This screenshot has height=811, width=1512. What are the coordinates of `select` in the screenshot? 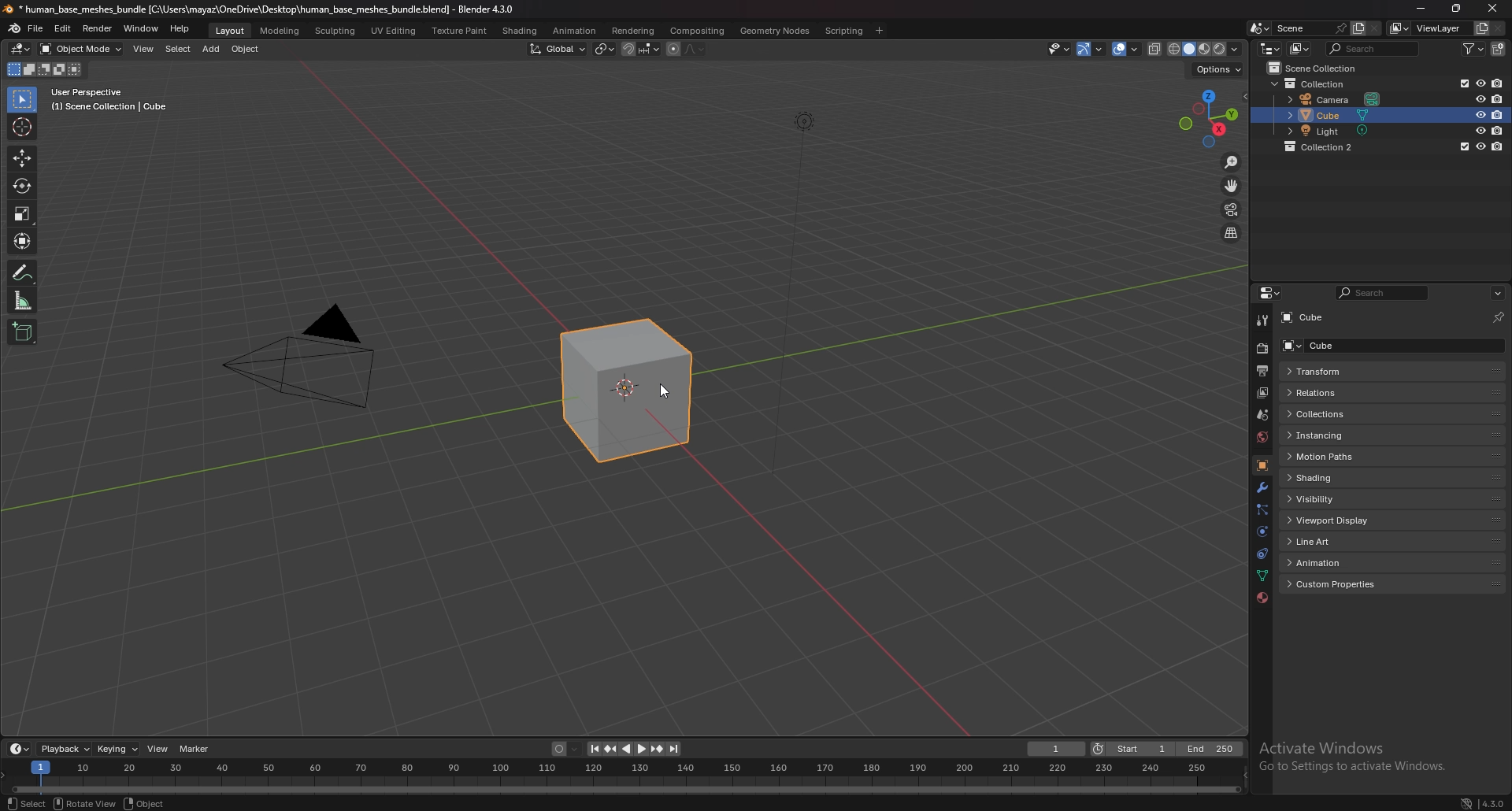 It's located at (24, 802).